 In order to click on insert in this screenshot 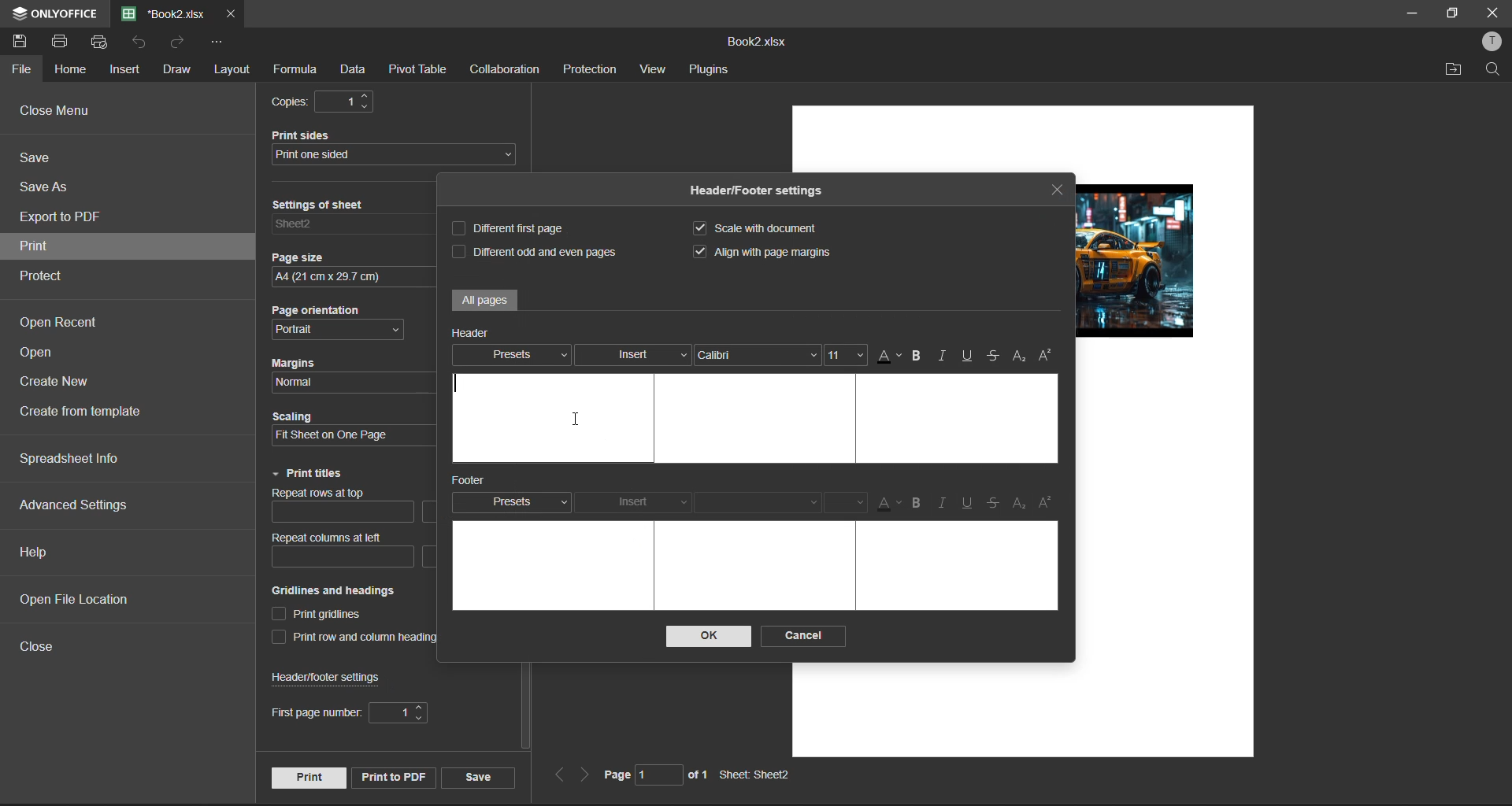, I will do `click(127, 70)`.